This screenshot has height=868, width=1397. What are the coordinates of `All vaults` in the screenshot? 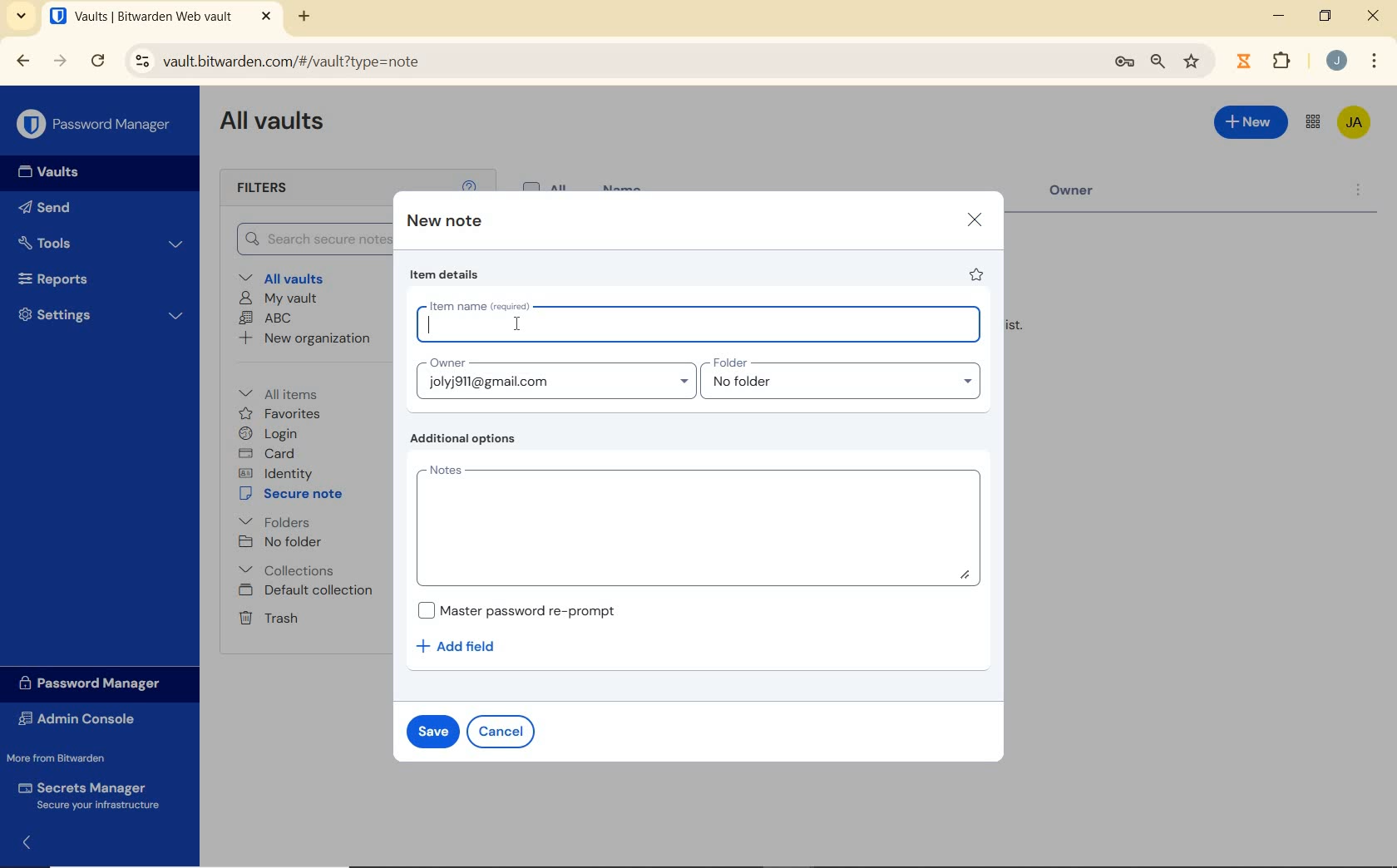 It's located at (284, 277).